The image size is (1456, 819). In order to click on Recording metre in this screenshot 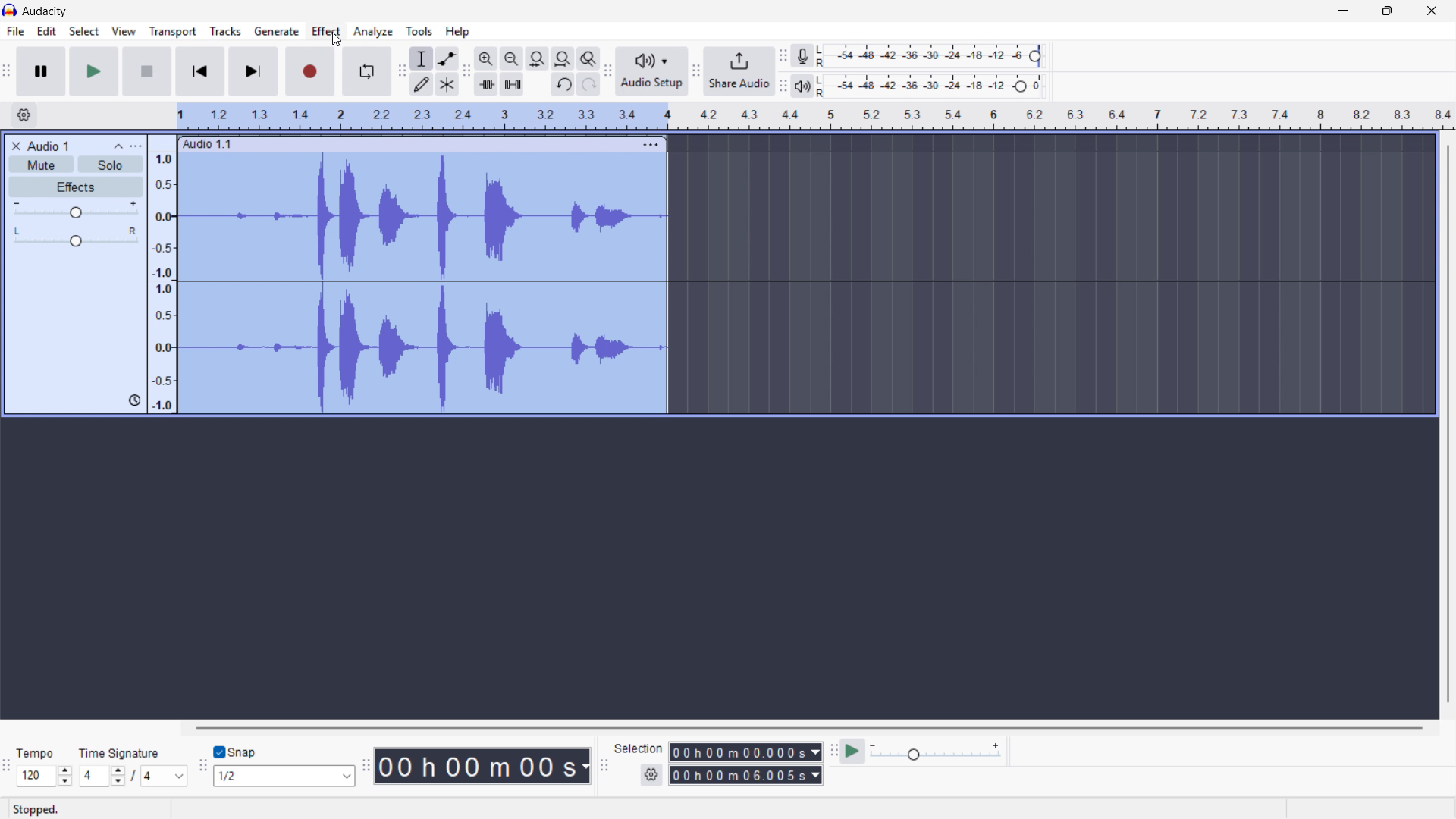, I will do `click(802, 56)`.